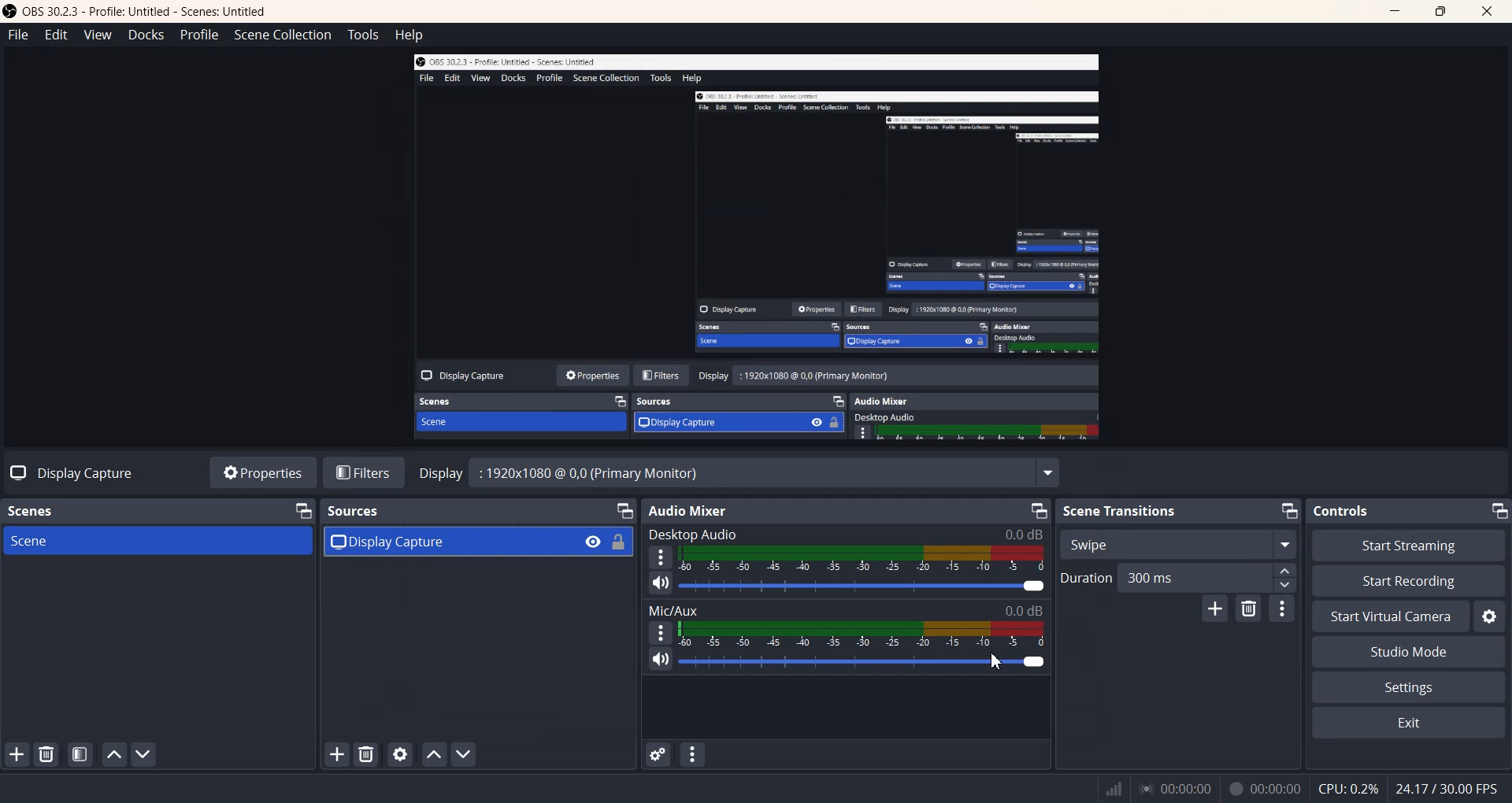  Describe the element at coordinates (1178, 577) in the screenshot. I see `Duration` at that location.